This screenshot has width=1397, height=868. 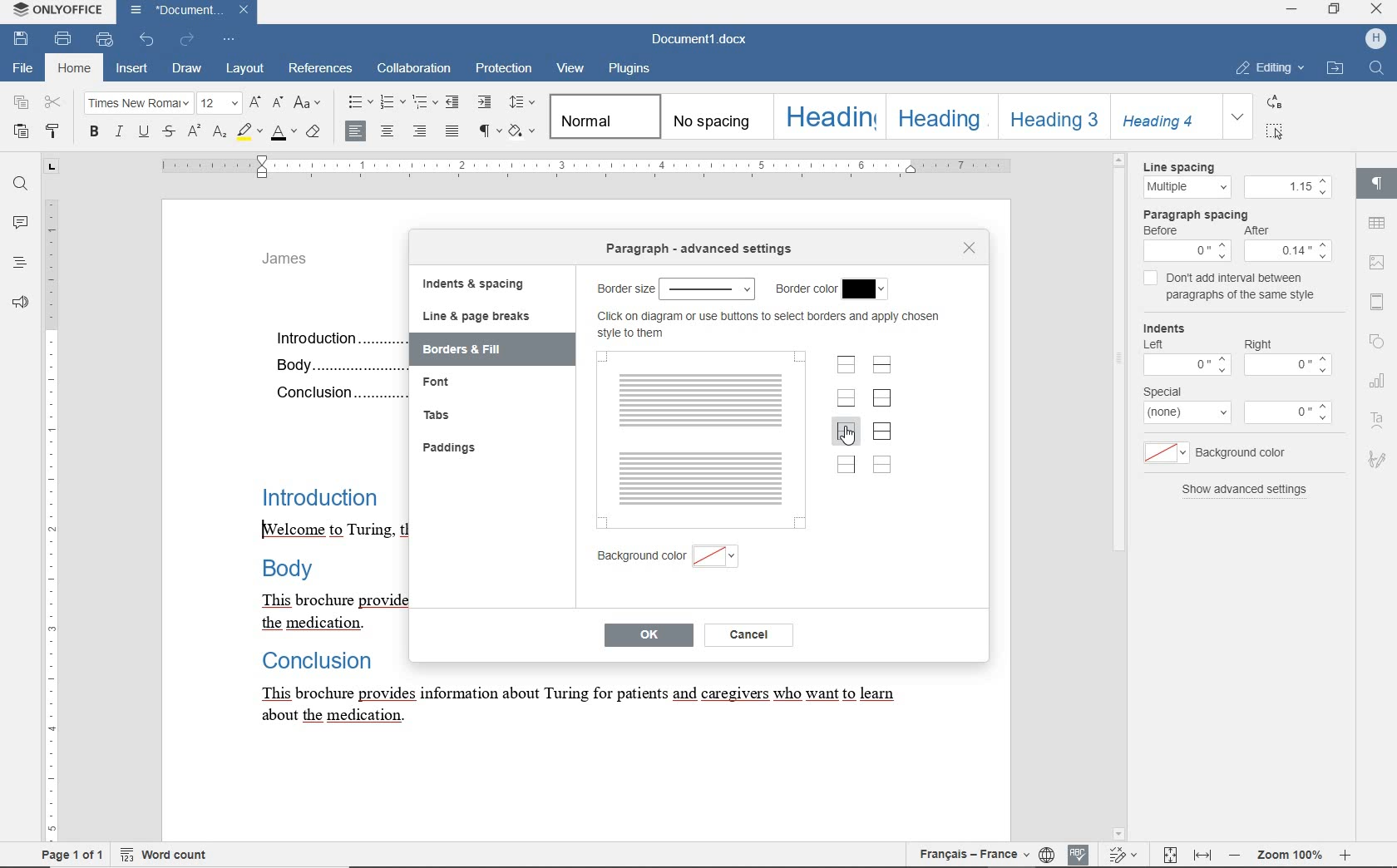 What do you see at coordinates (700, 40) in the screenshot?
I see `document name` at bounding box center [700, 40].